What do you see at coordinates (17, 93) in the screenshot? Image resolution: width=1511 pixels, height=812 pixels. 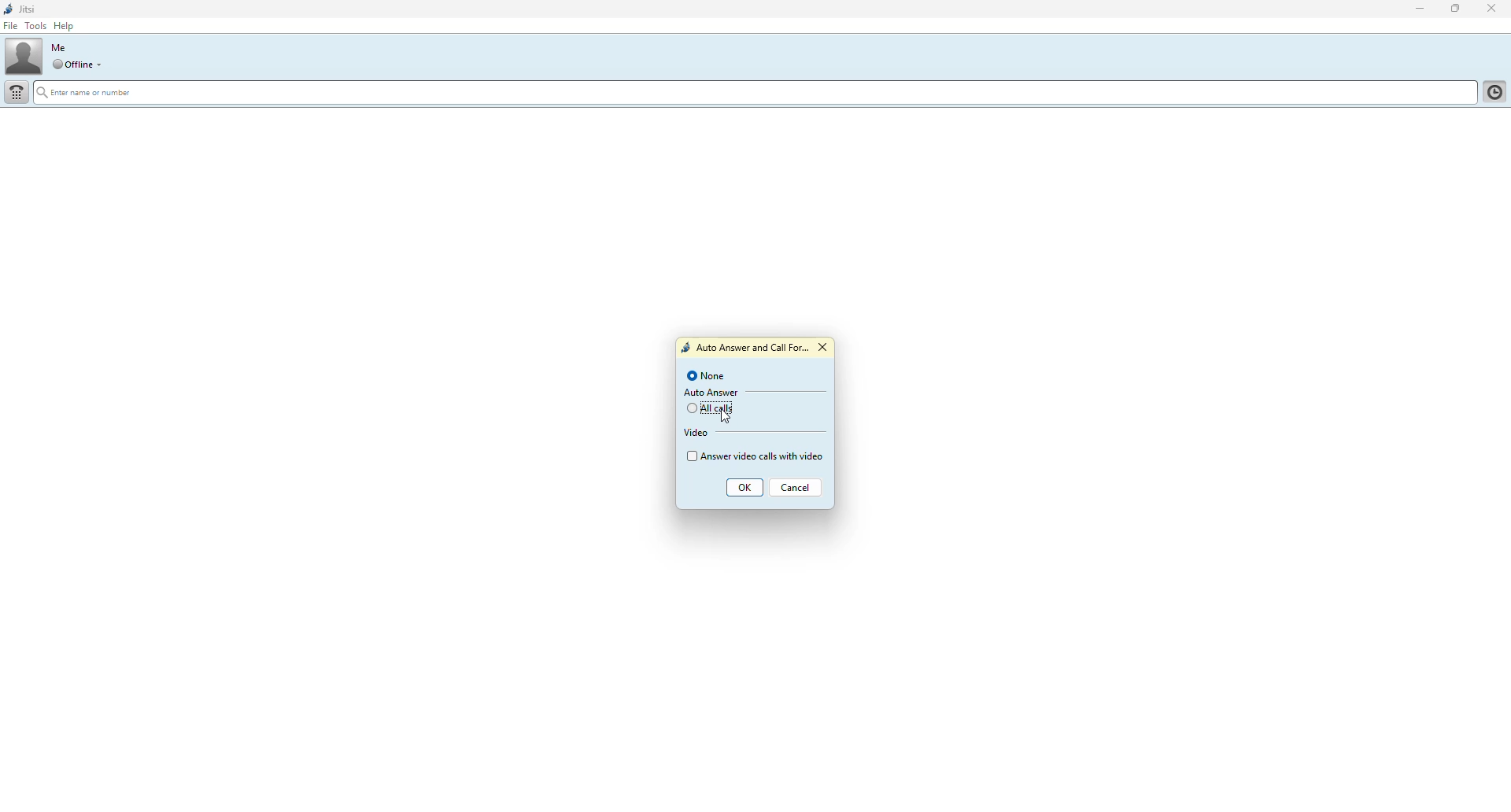 I see `dial pad` at bounding box center [17, 93].